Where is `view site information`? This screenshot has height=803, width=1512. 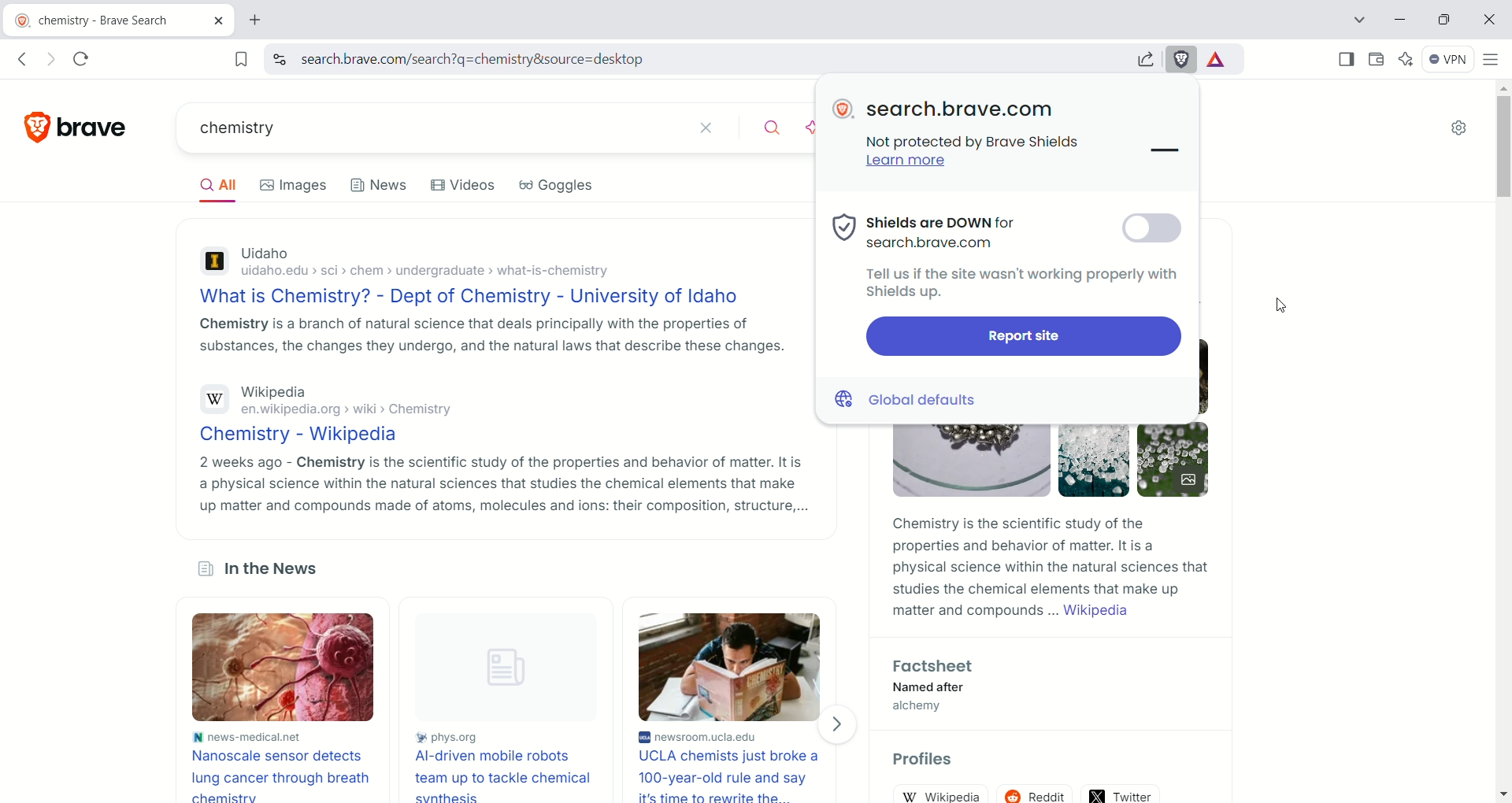
view site information is located at coordinates (279, 59).